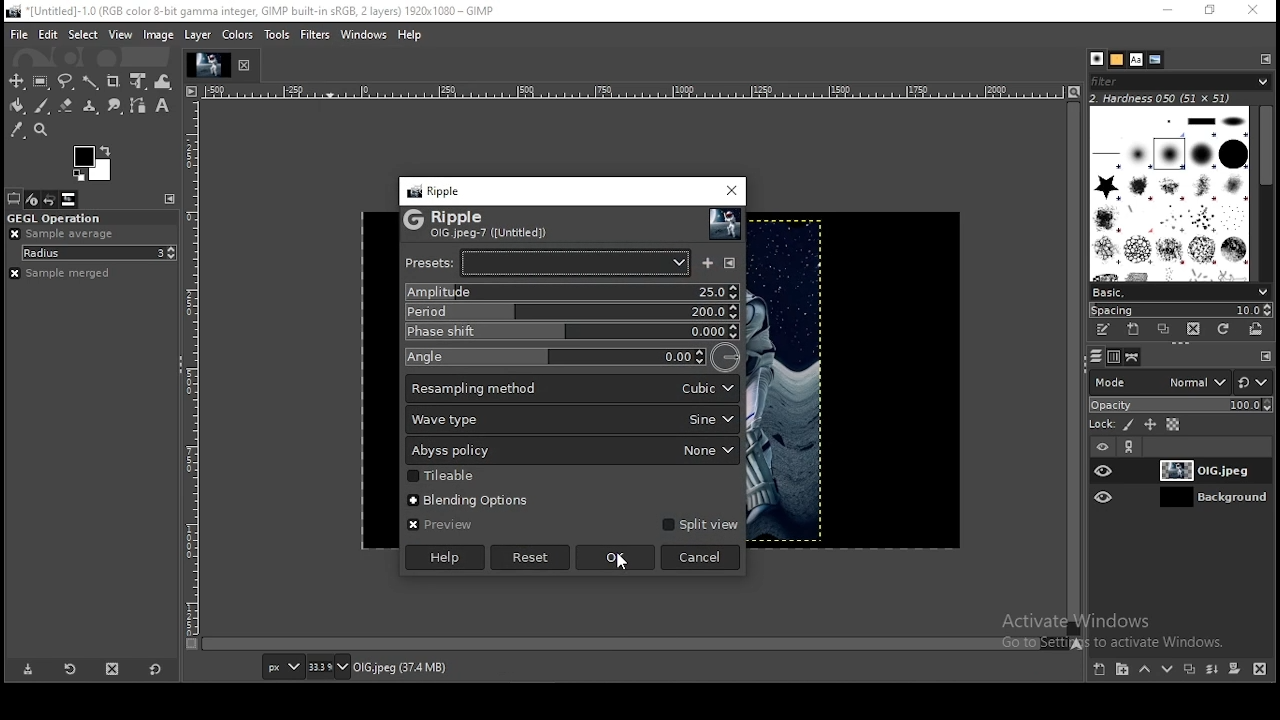  Describe the element at coordinates (1098, 58) in the screenshot. I see `brushes` at that location.